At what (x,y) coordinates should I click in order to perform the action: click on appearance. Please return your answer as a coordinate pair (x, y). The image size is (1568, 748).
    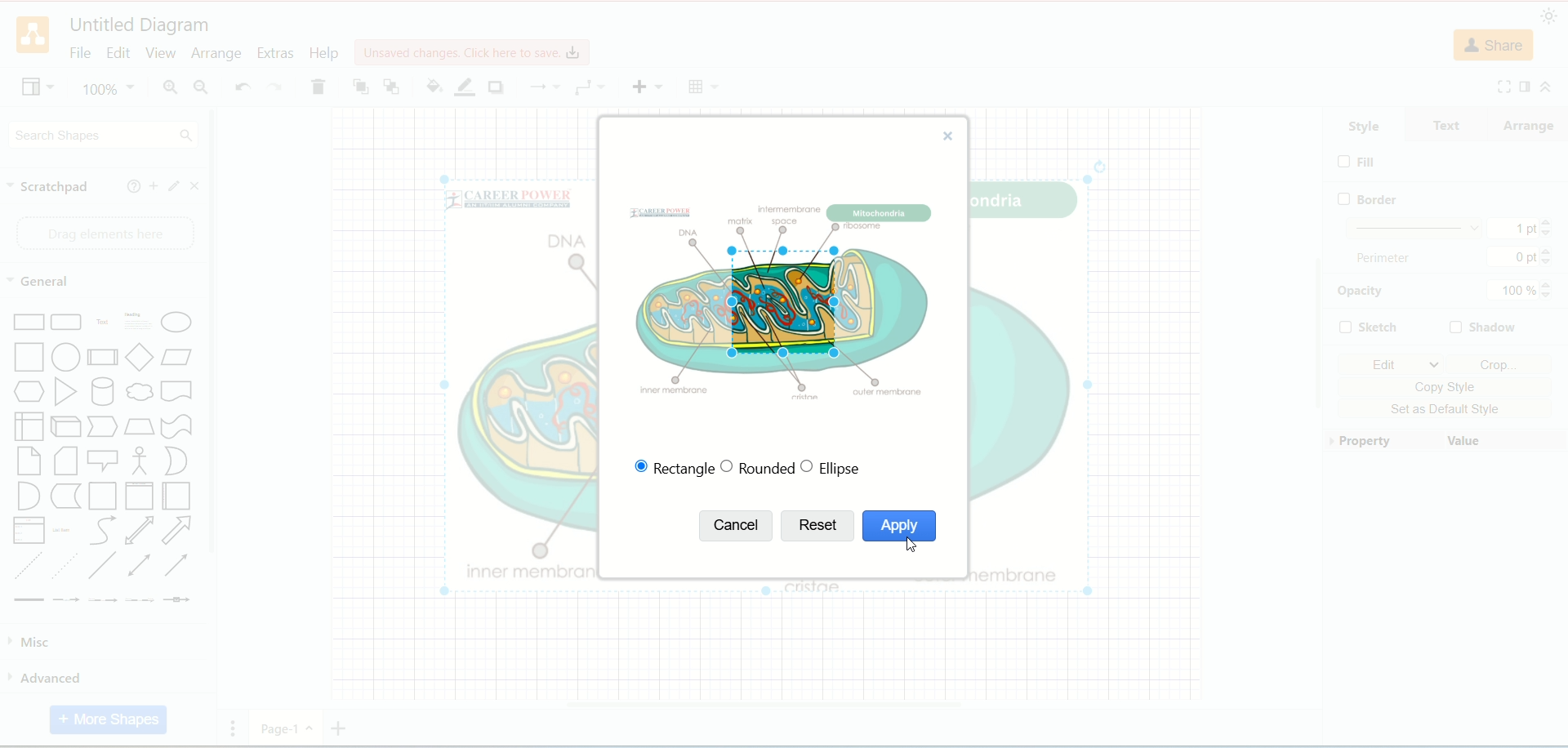
    Looking at the image, I should click on (1552, 16).